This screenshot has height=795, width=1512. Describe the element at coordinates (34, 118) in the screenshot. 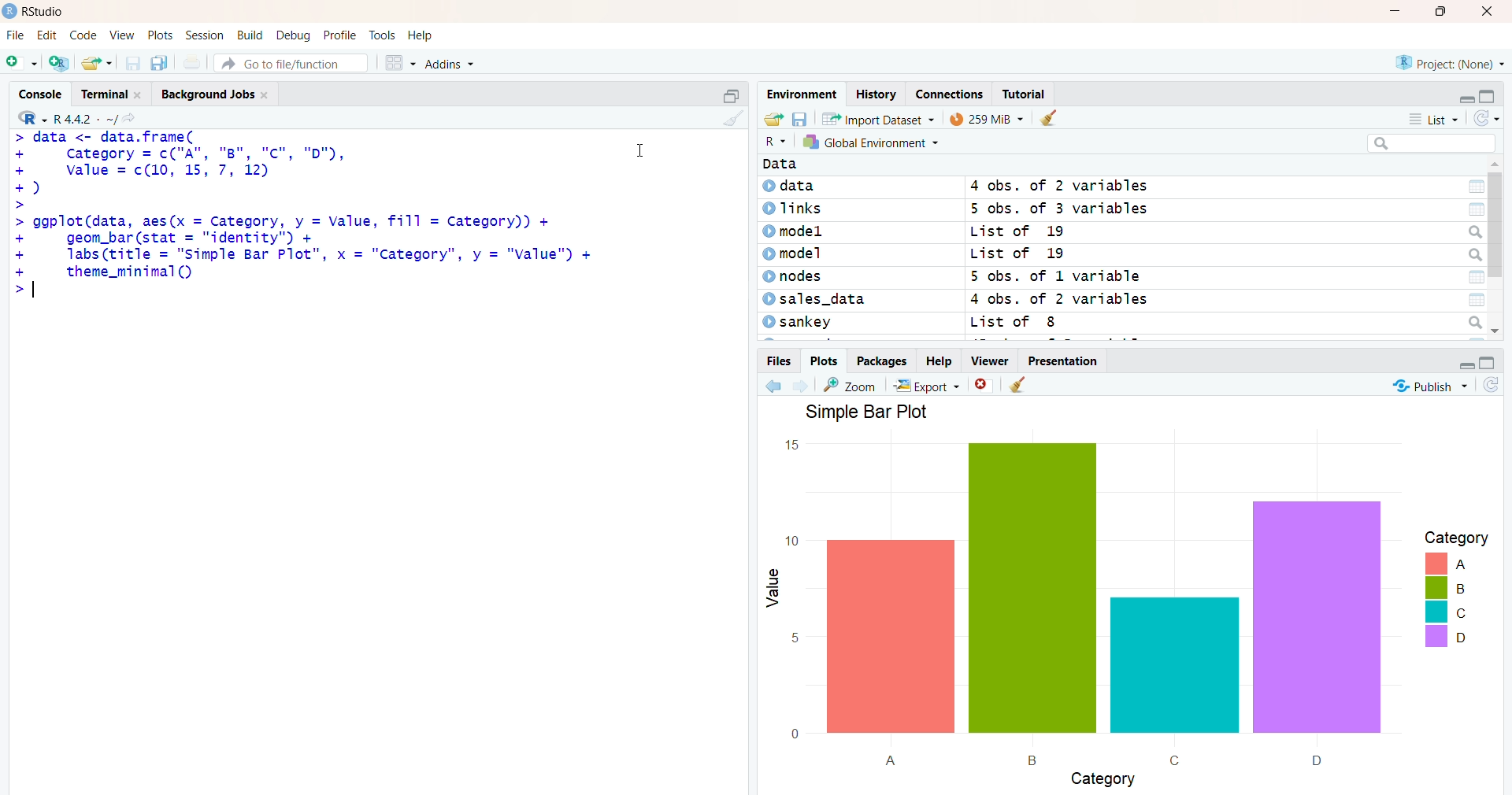

I see `R language` at that location.